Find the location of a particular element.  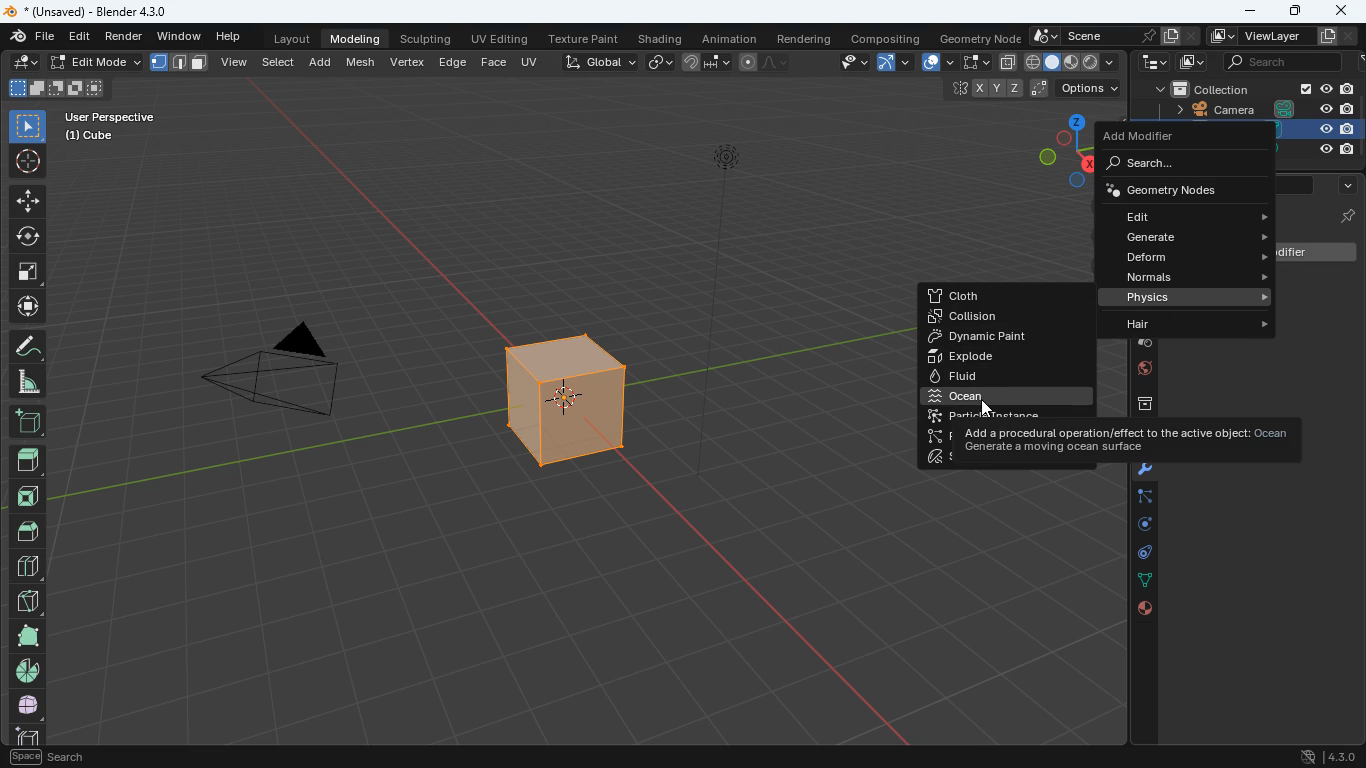

shading is located at coordinates (662, 37).